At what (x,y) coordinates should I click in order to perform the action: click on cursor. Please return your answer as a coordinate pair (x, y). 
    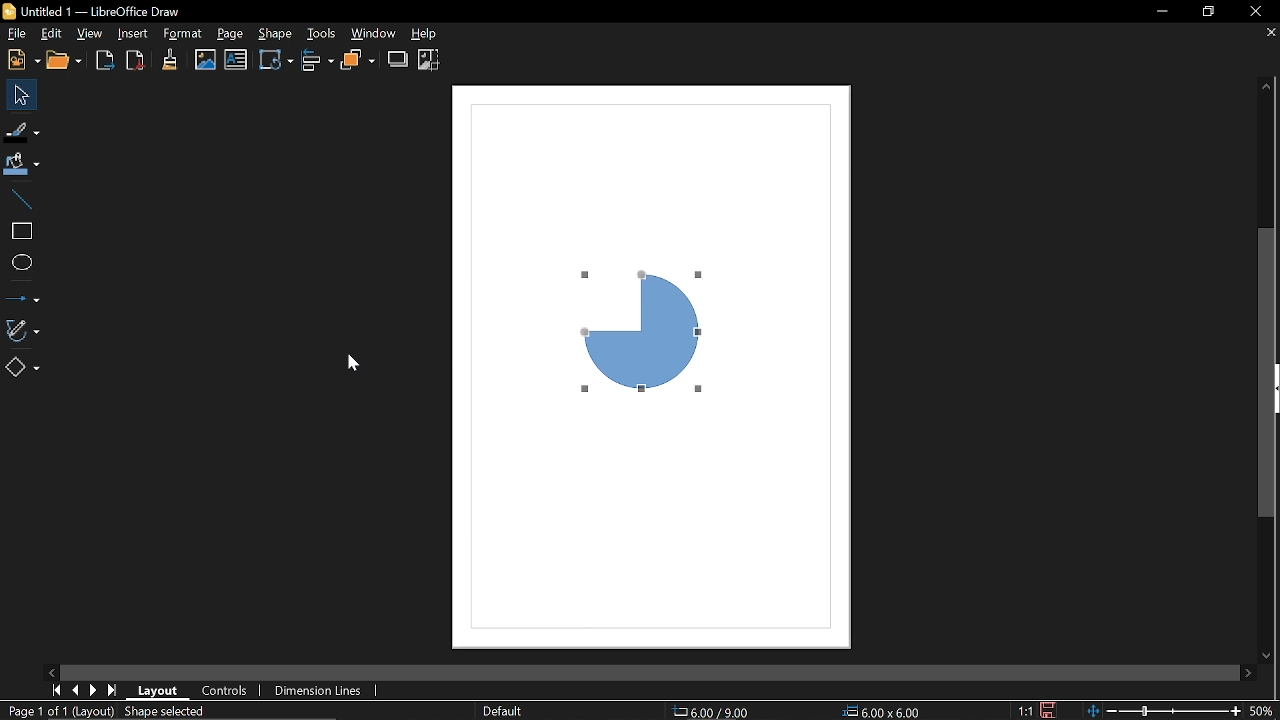
    Looking at the image, I should click on (353, 363).